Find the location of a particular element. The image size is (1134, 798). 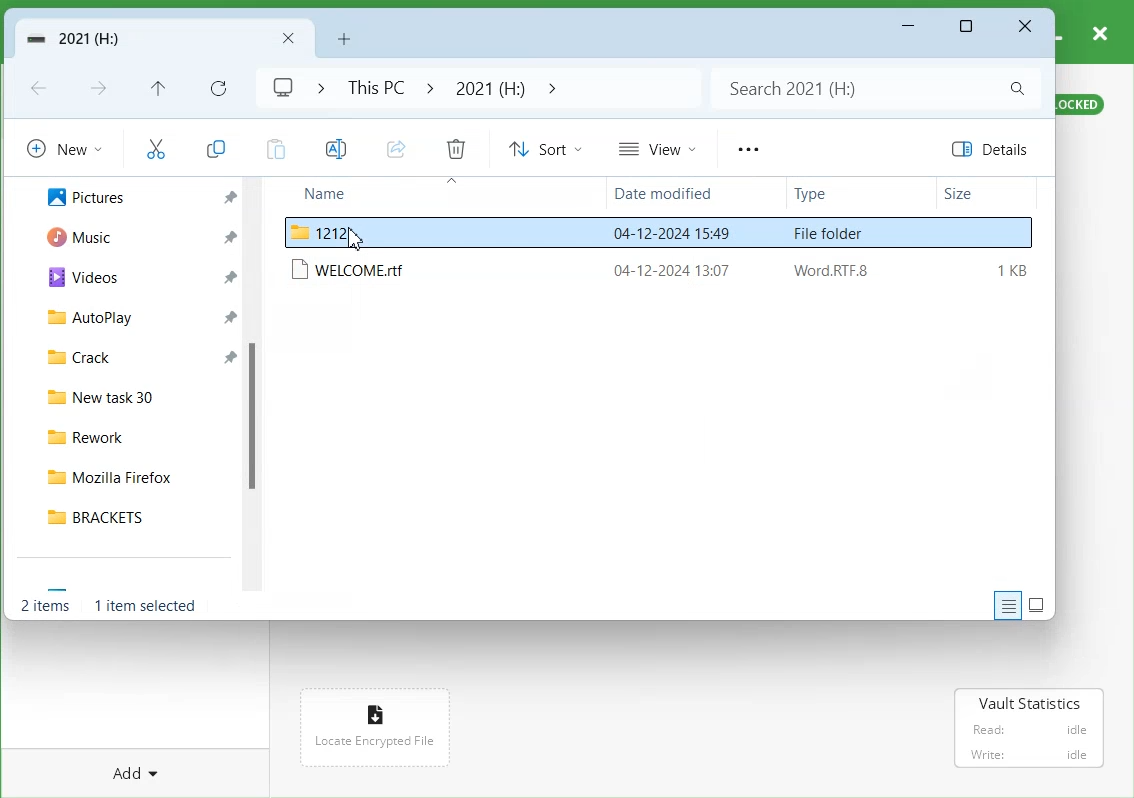

Close is located at coordinates (1025, 27).